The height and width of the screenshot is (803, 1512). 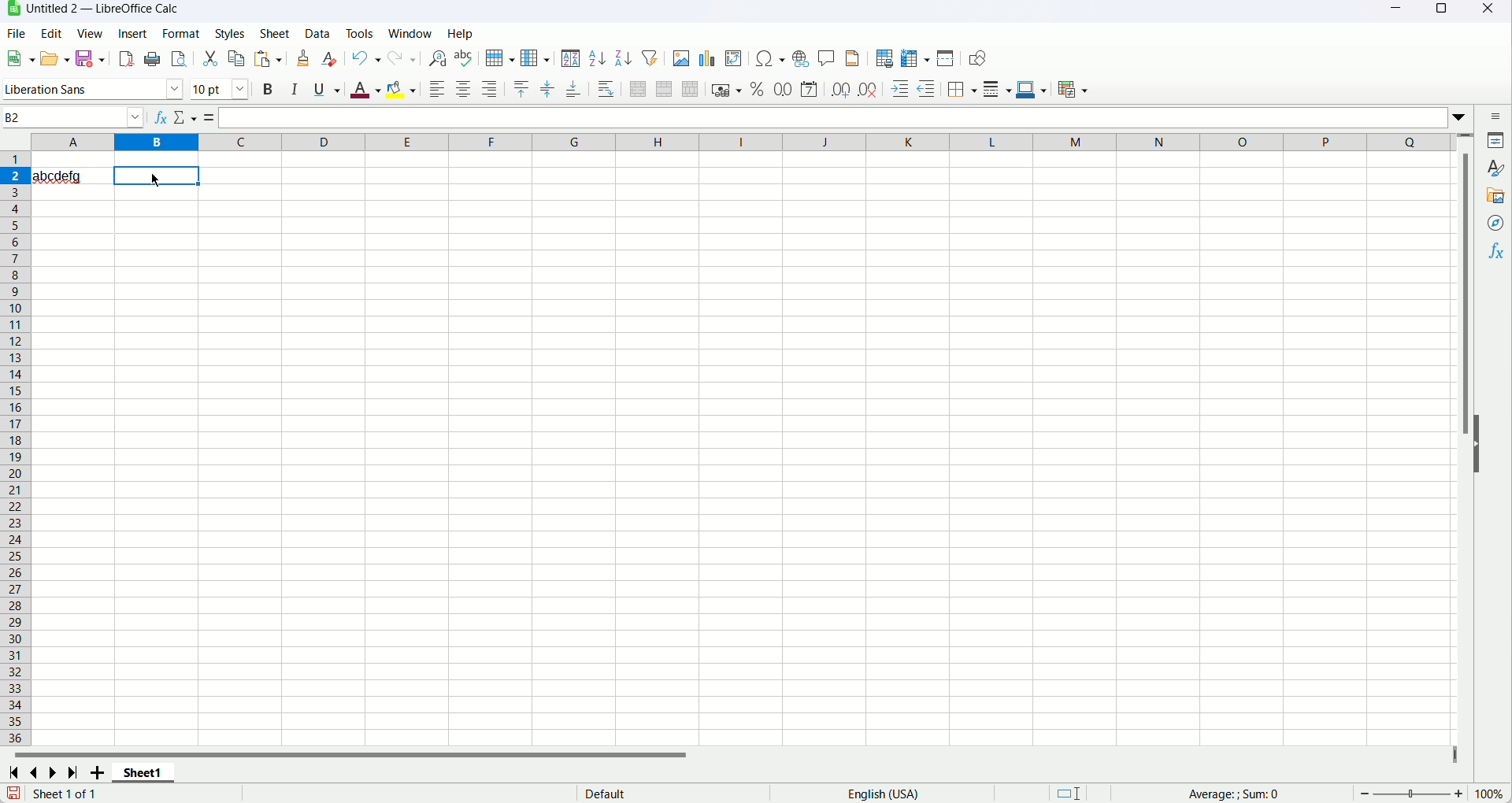 What do you see at coordinates (1496, 224) in the screenshot?
I see `navigator` at bounding box center [1496, 224].